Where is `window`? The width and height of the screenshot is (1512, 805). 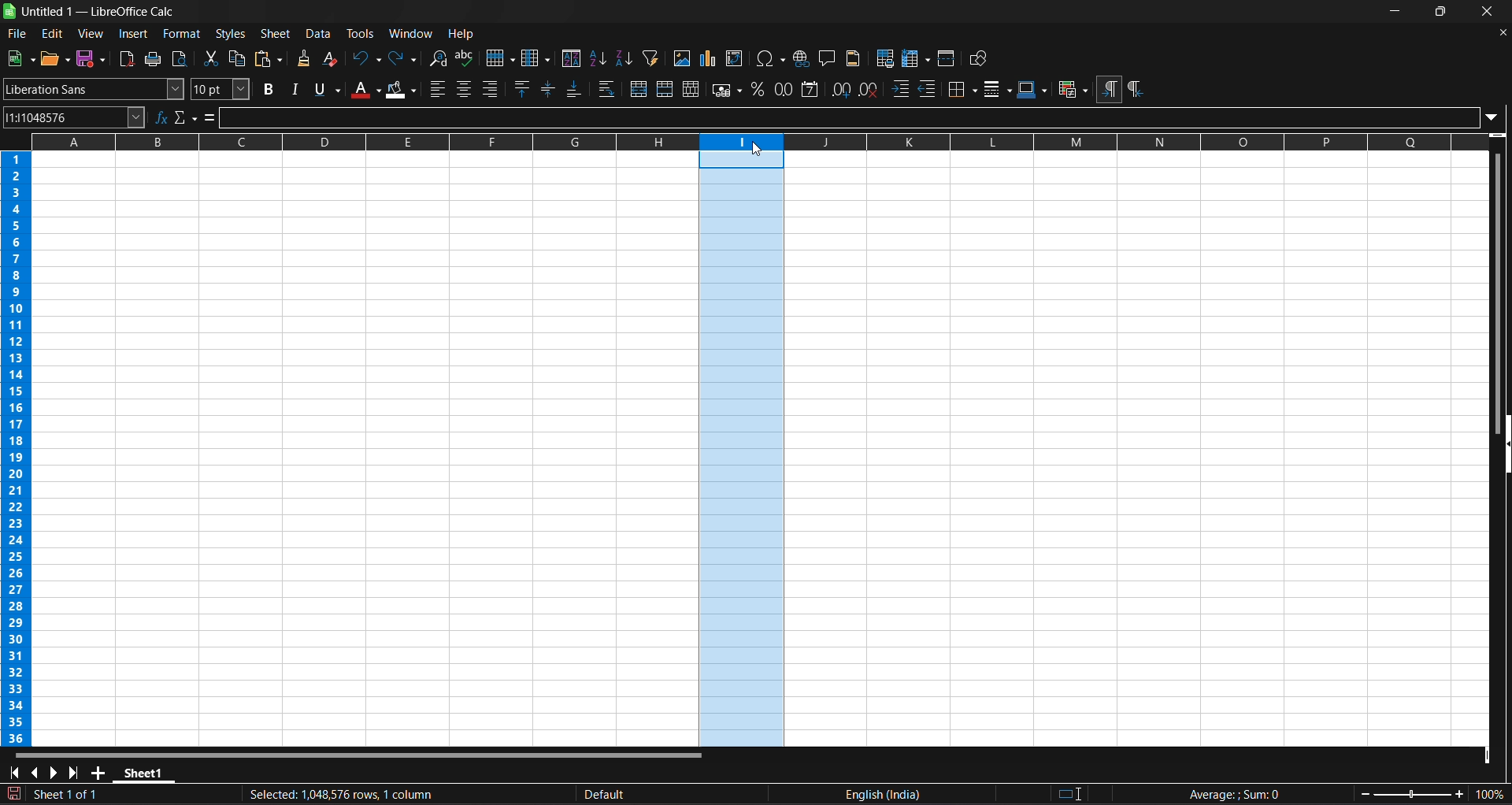 window is located at coordinates (411, 34).